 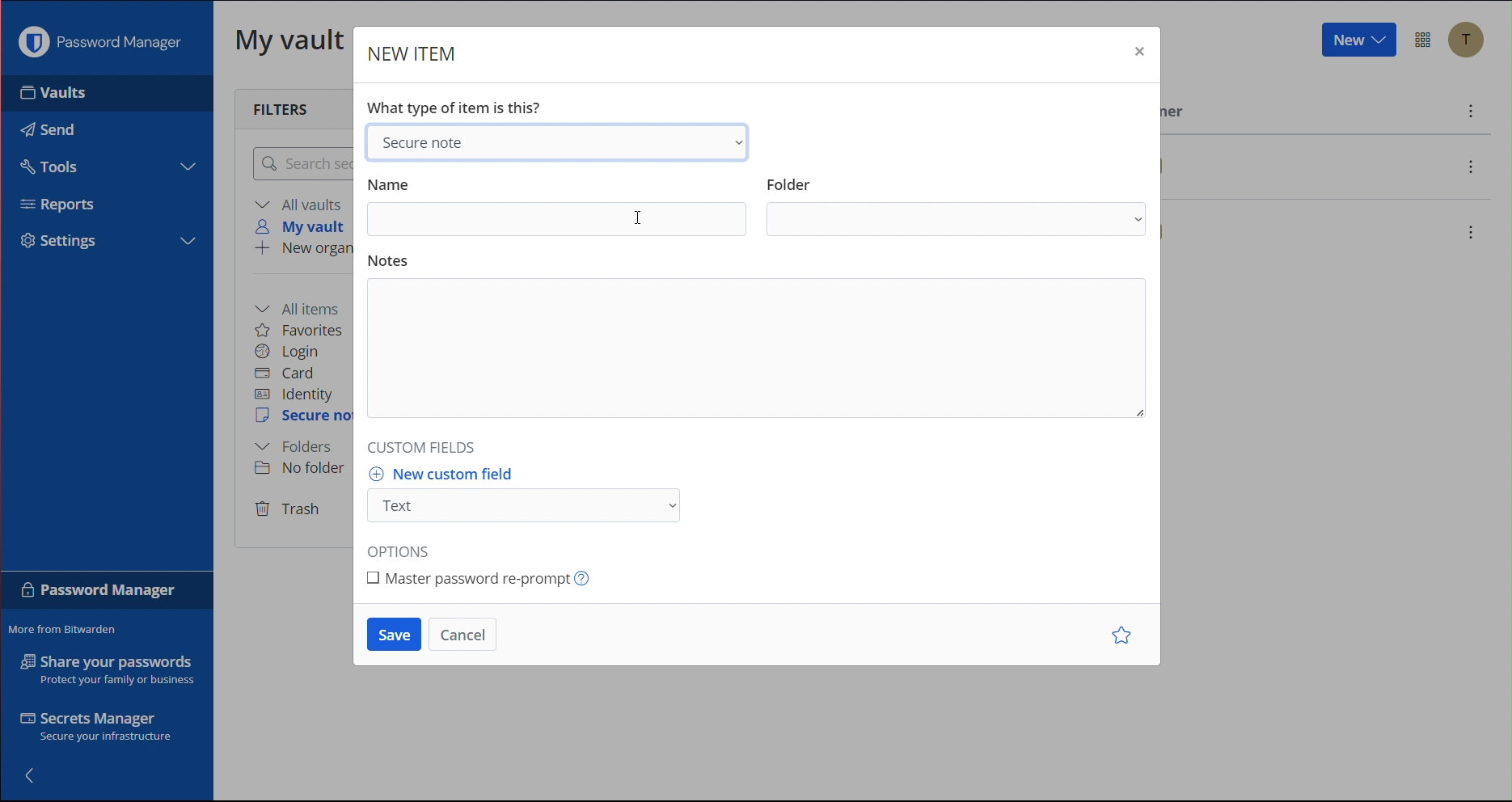 What do you see at coordinates (103, 670) in the screenshot?
I see `Share your passwords` at bounding box center [103, 670].